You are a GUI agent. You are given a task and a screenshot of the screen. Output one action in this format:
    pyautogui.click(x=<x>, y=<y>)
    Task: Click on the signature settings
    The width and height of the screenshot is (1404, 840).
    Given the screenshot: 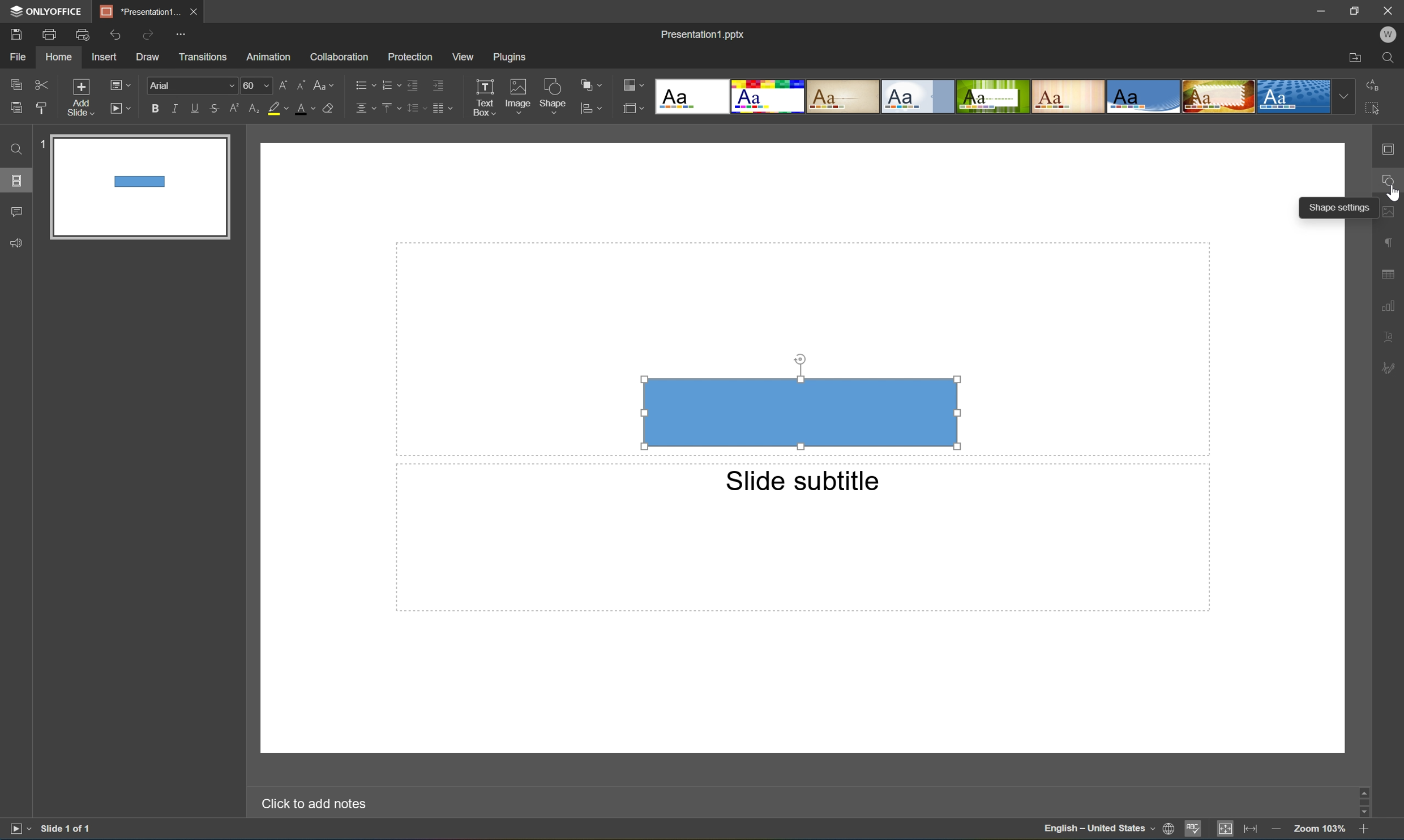 What is the action you would take?
    pyautogui.click(x=1390, y=368)
    